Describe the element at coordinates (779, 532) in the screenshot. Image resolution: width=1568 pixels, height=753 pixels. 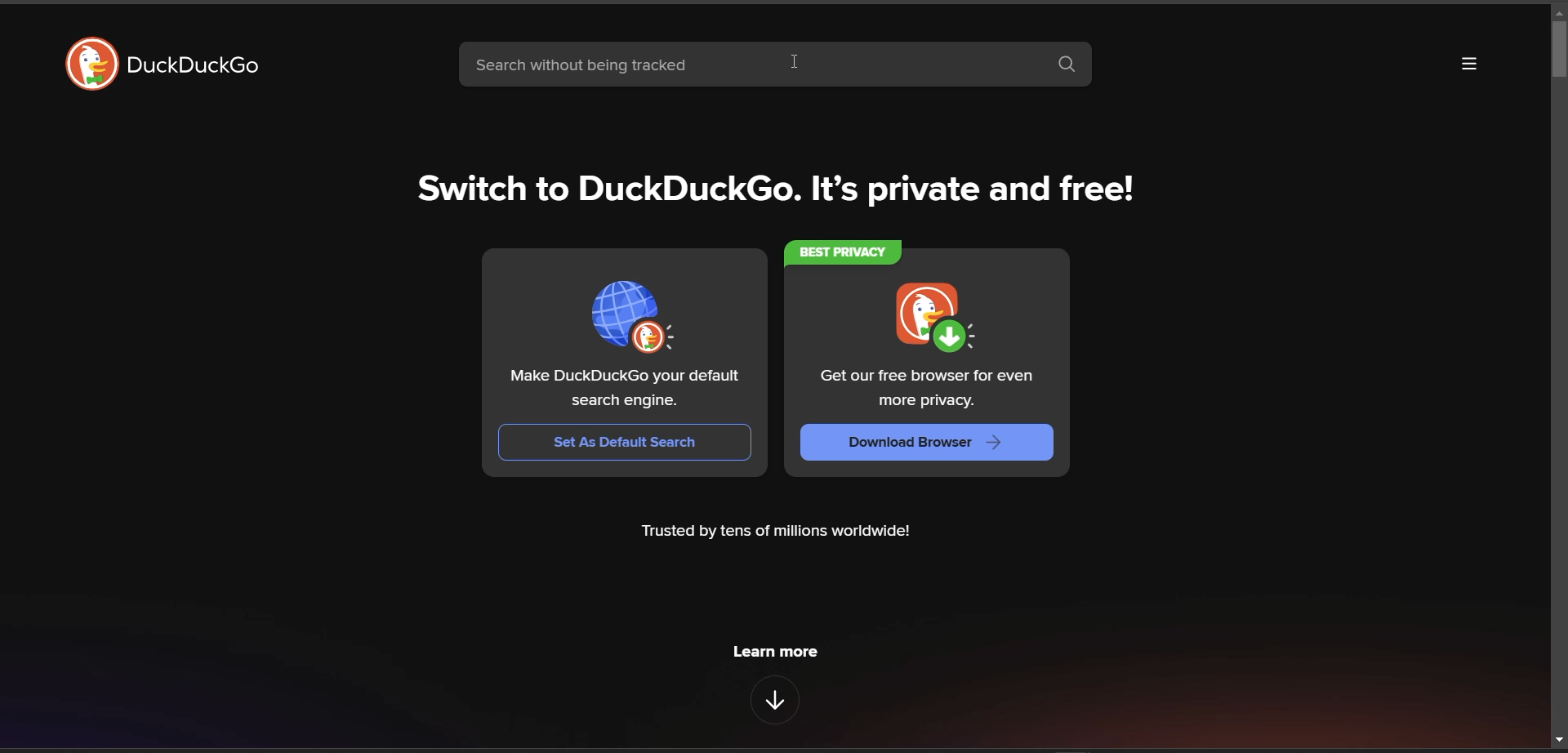
I see `metadata` at that location.